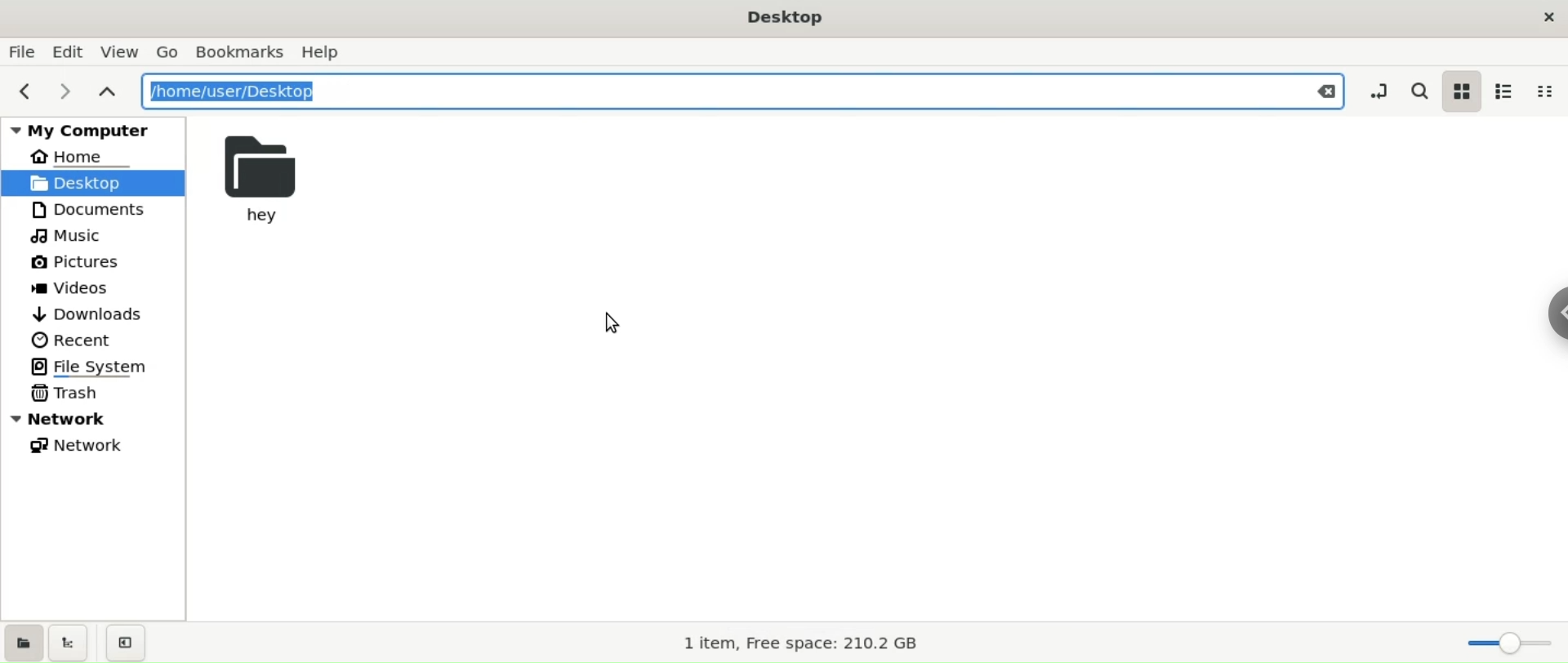 This screenshot has height=663, width=1568. I want to click on search, so click(1417, 90).